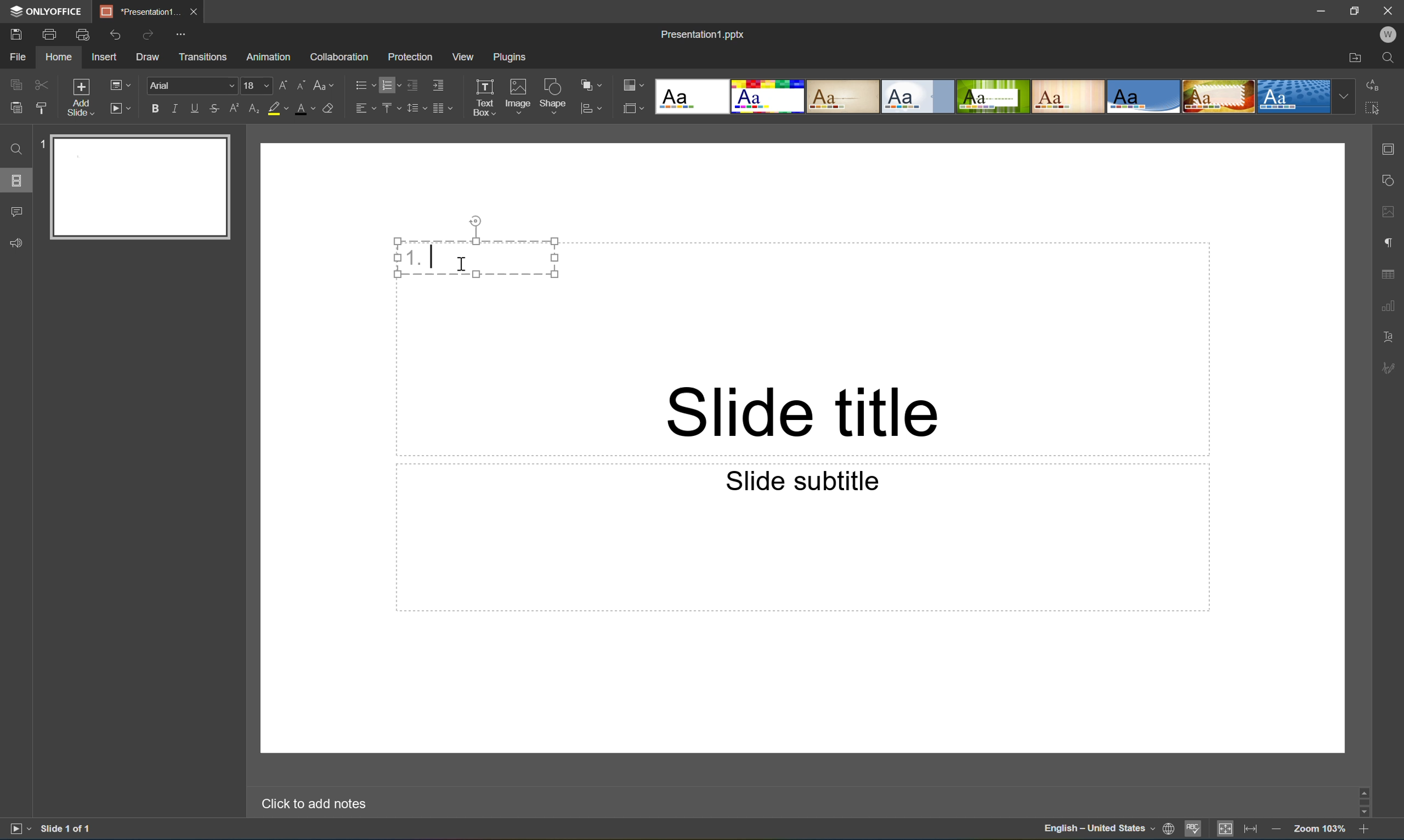 This screenshot has width=1404, height=840. Describe the element at coordinates (632, 108) in the screenshot. I see `Change slide size` at that location.